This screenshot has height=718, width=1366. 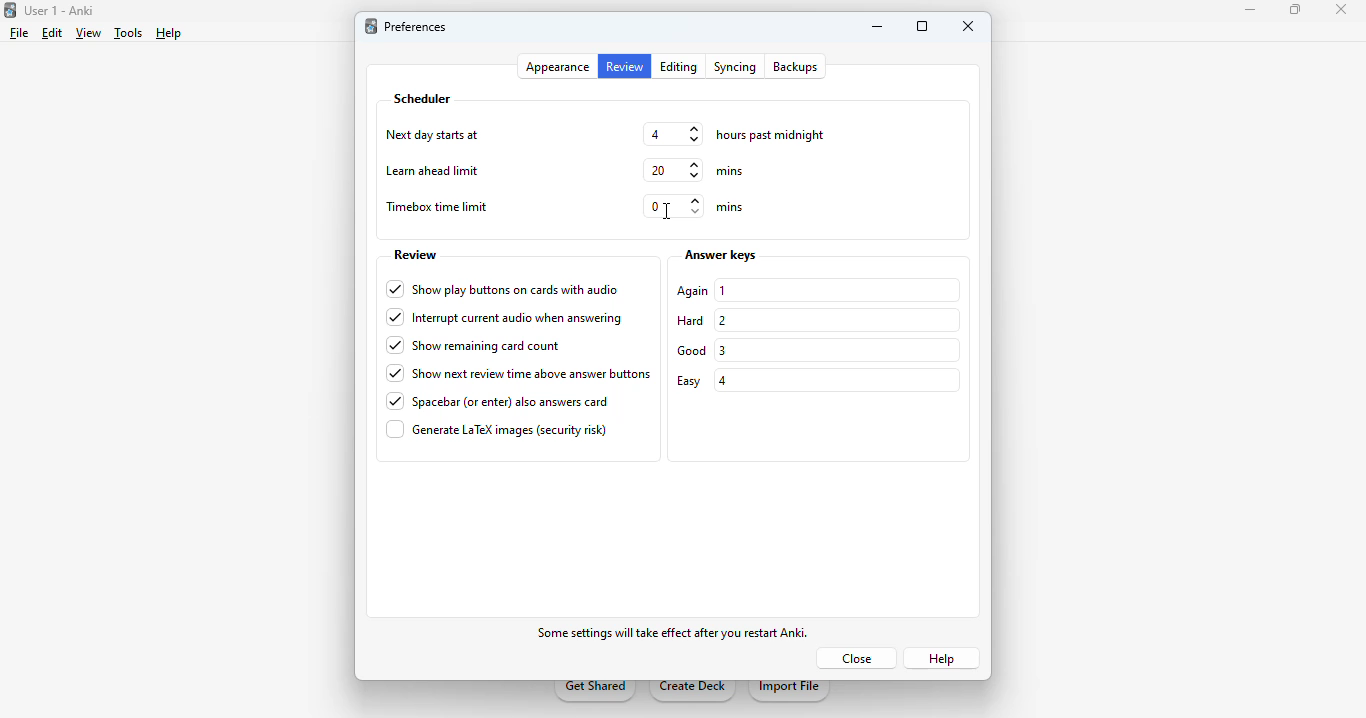 What do you see at coordinates (939, 657) in the screenshot?
I see `help` at bounding box center [939, 657].